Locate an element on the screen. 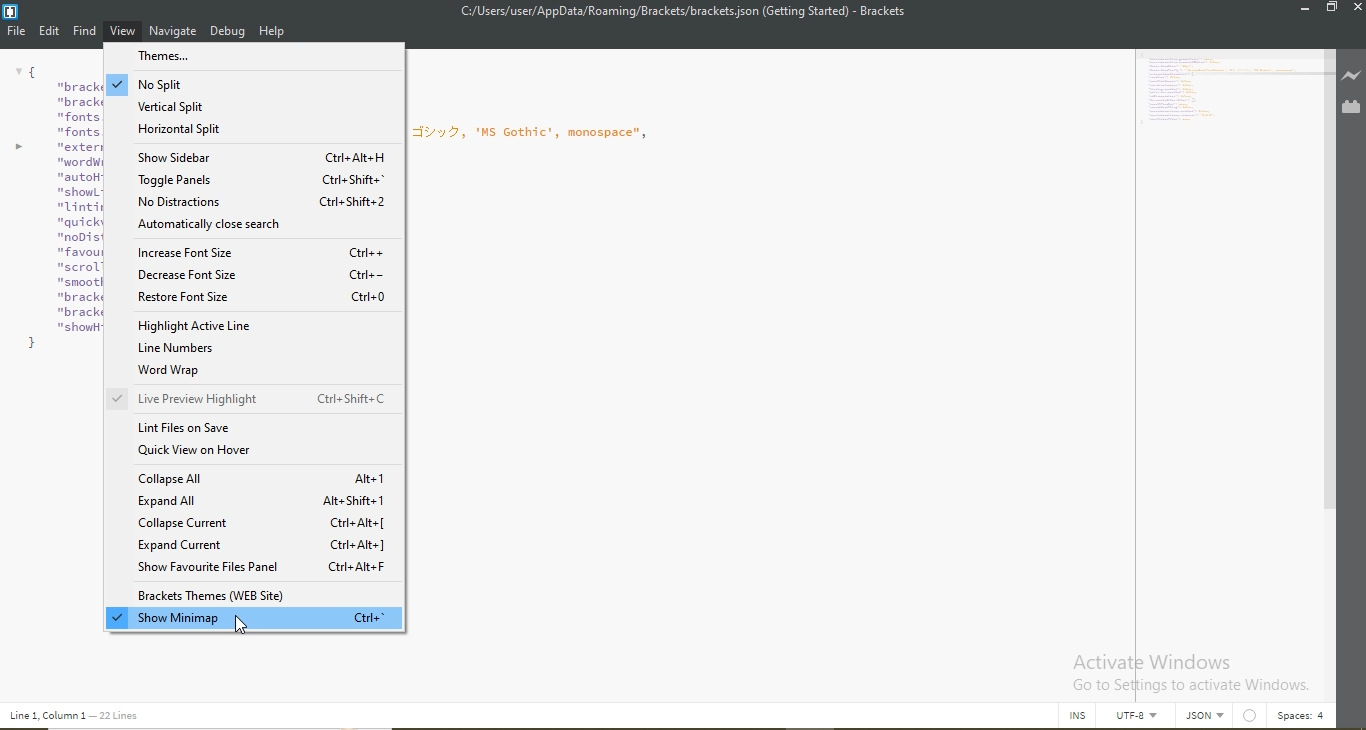 This screenshot has width=1366, height=730. increase font size is located at coordinates (253, 250).